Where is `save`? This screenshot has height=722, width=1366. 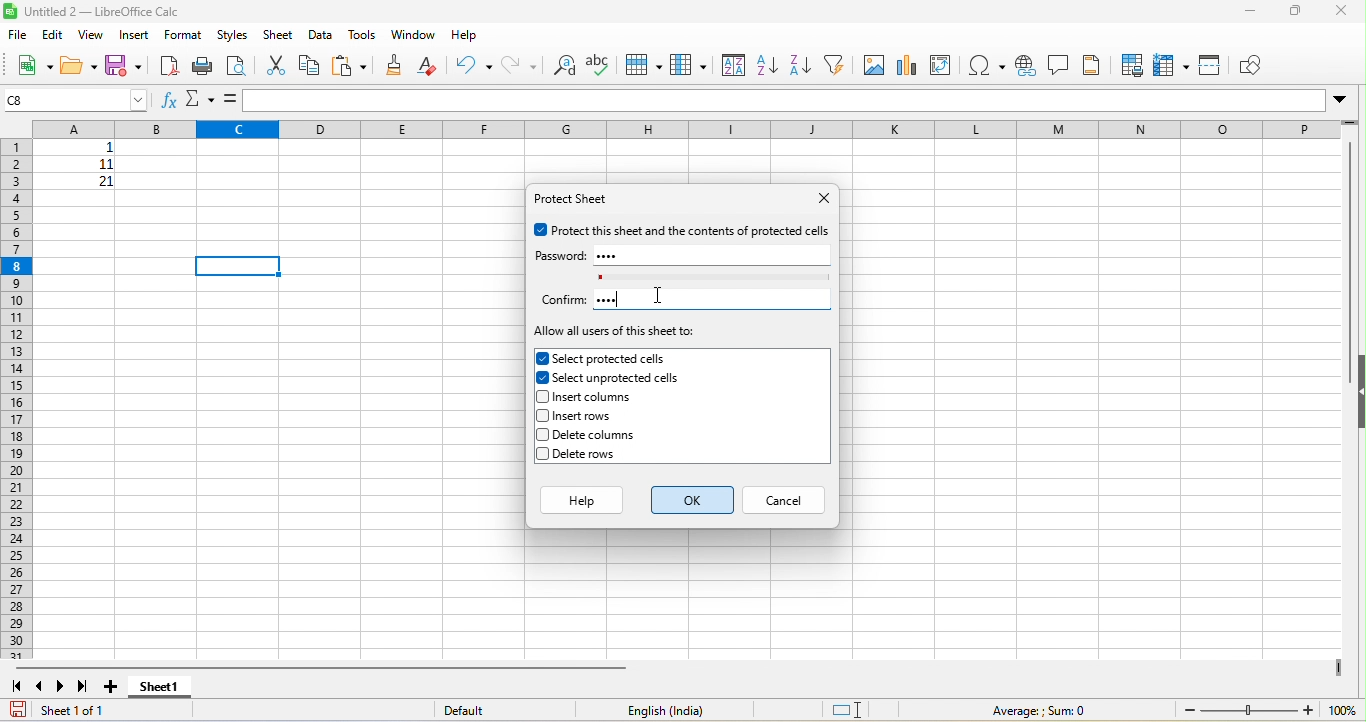
save is located at coordinates (19, 708).